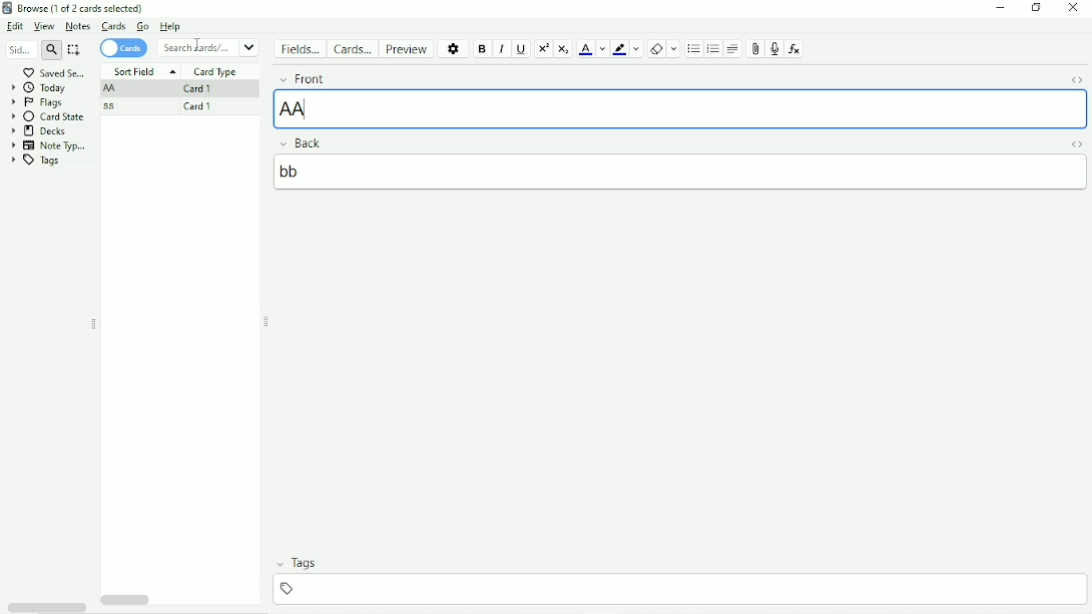  I want to click on Card 1, so click(196, 90).